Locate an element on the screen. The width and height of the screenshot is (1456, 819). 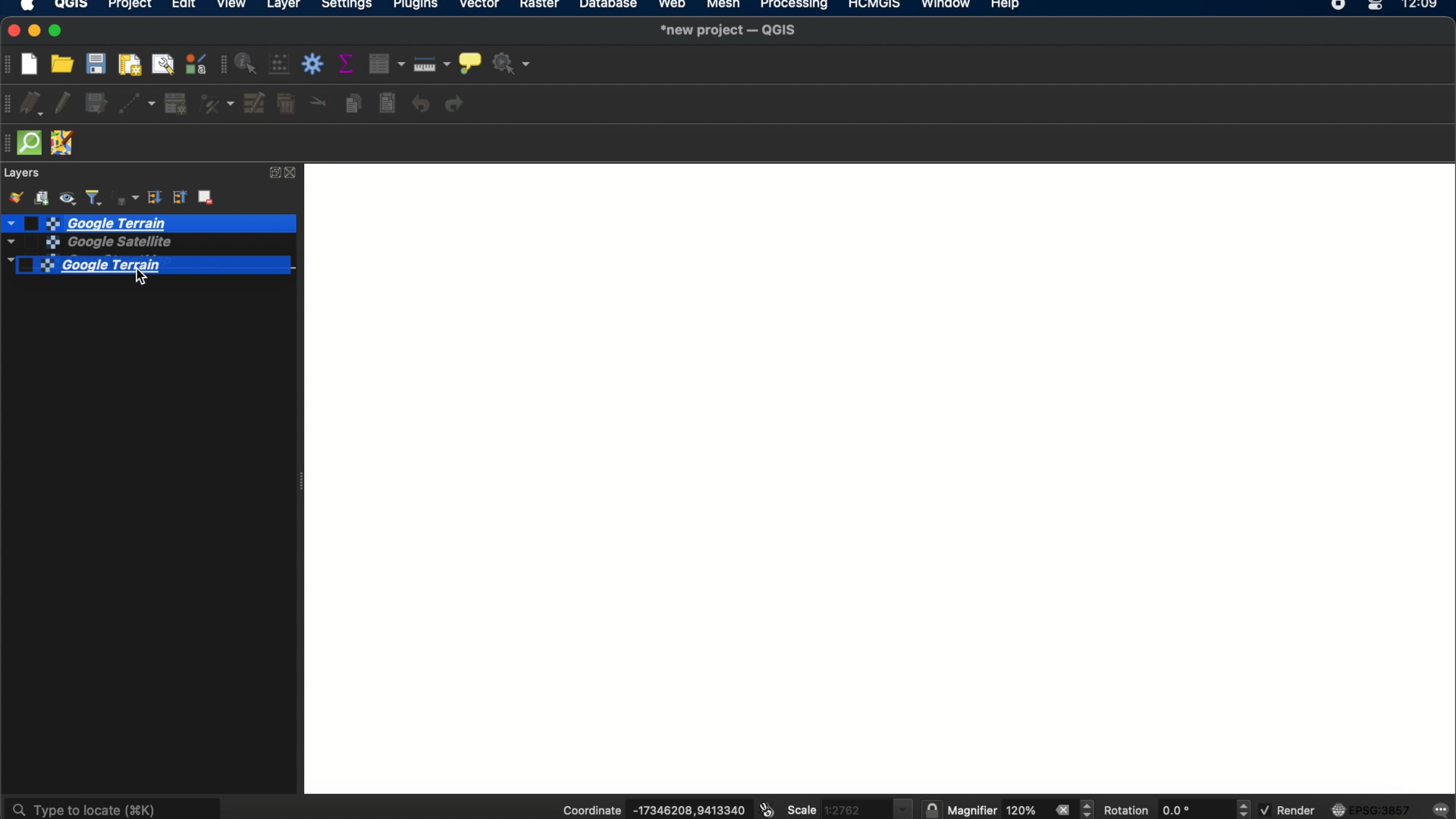
modify is located at coordinates (256, 103).